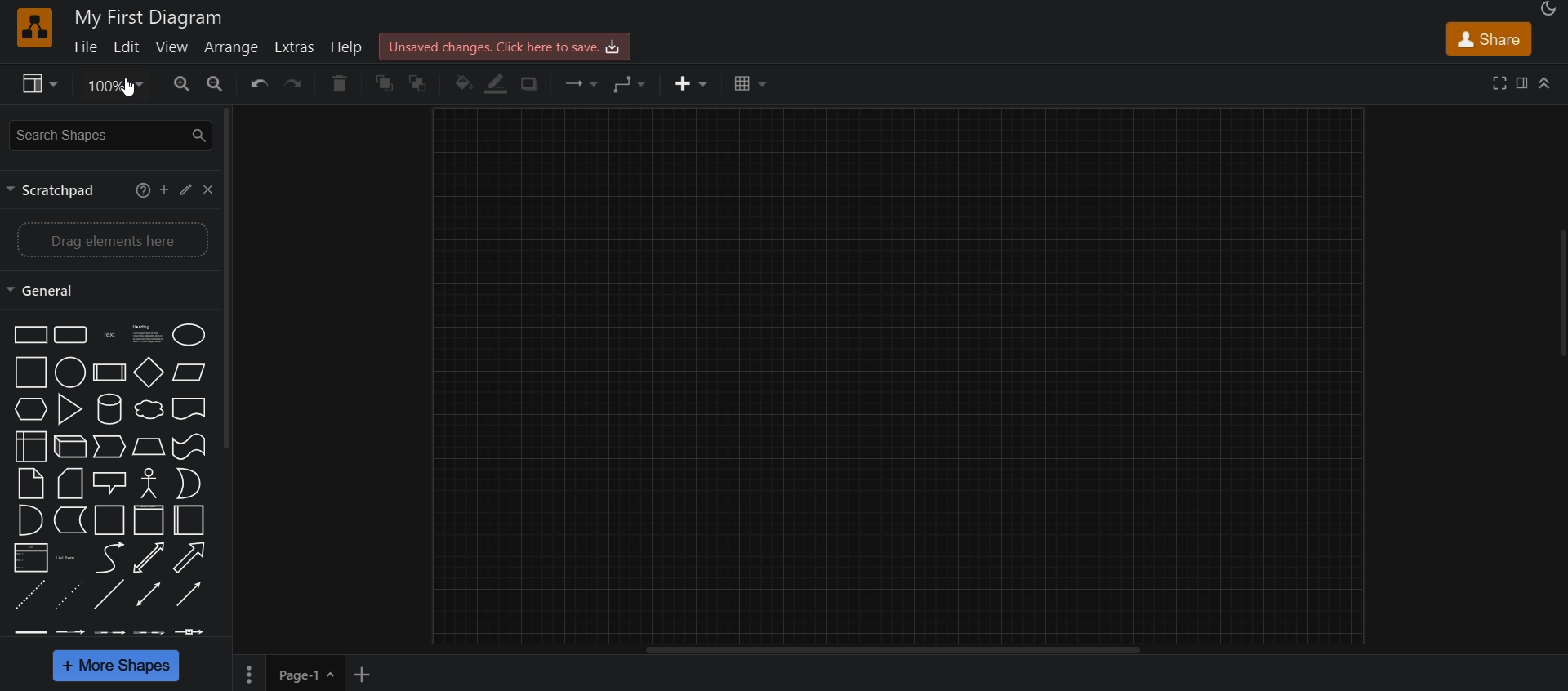 The width and height of the screenshot is (1568, 691). Describe the element at coordinates (110, 240) in the screenshot. I see `drag elements here` at that location.